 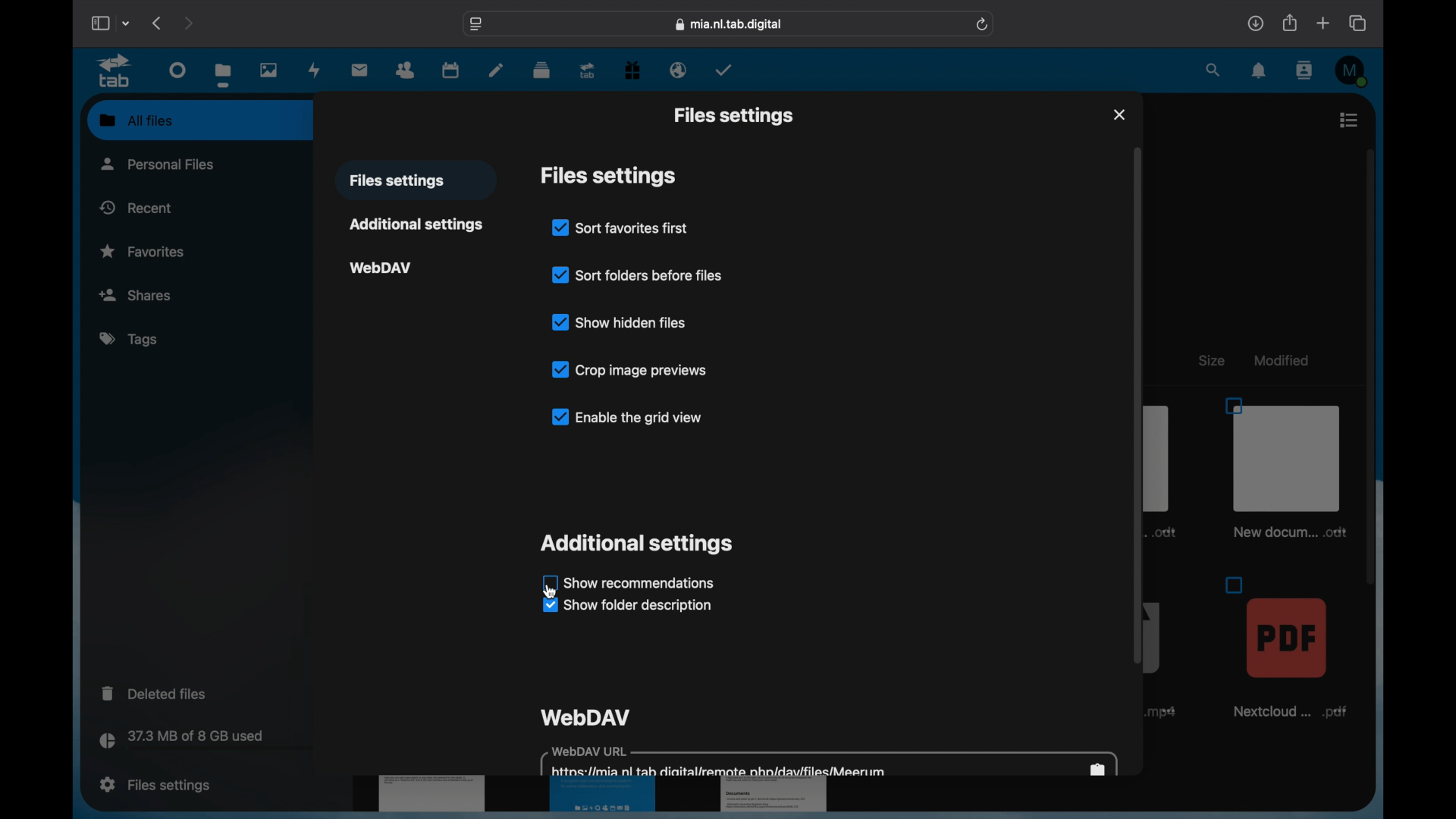 I want to click on web address, so click(x=728, y=24).